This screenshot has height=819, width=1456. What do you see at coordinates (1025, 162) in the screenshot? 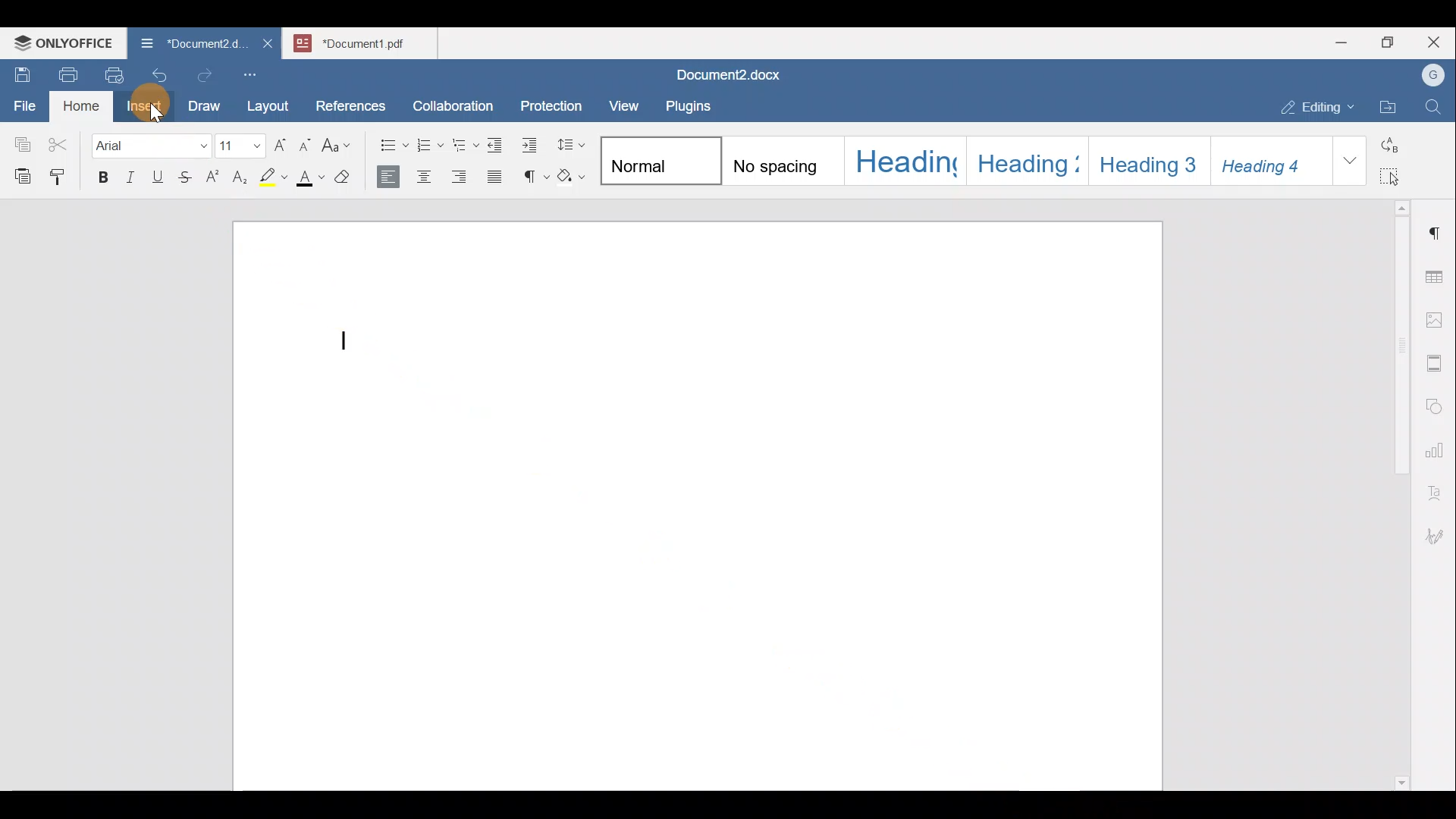
I see `Style 4` at bounding box center [1025, 162].